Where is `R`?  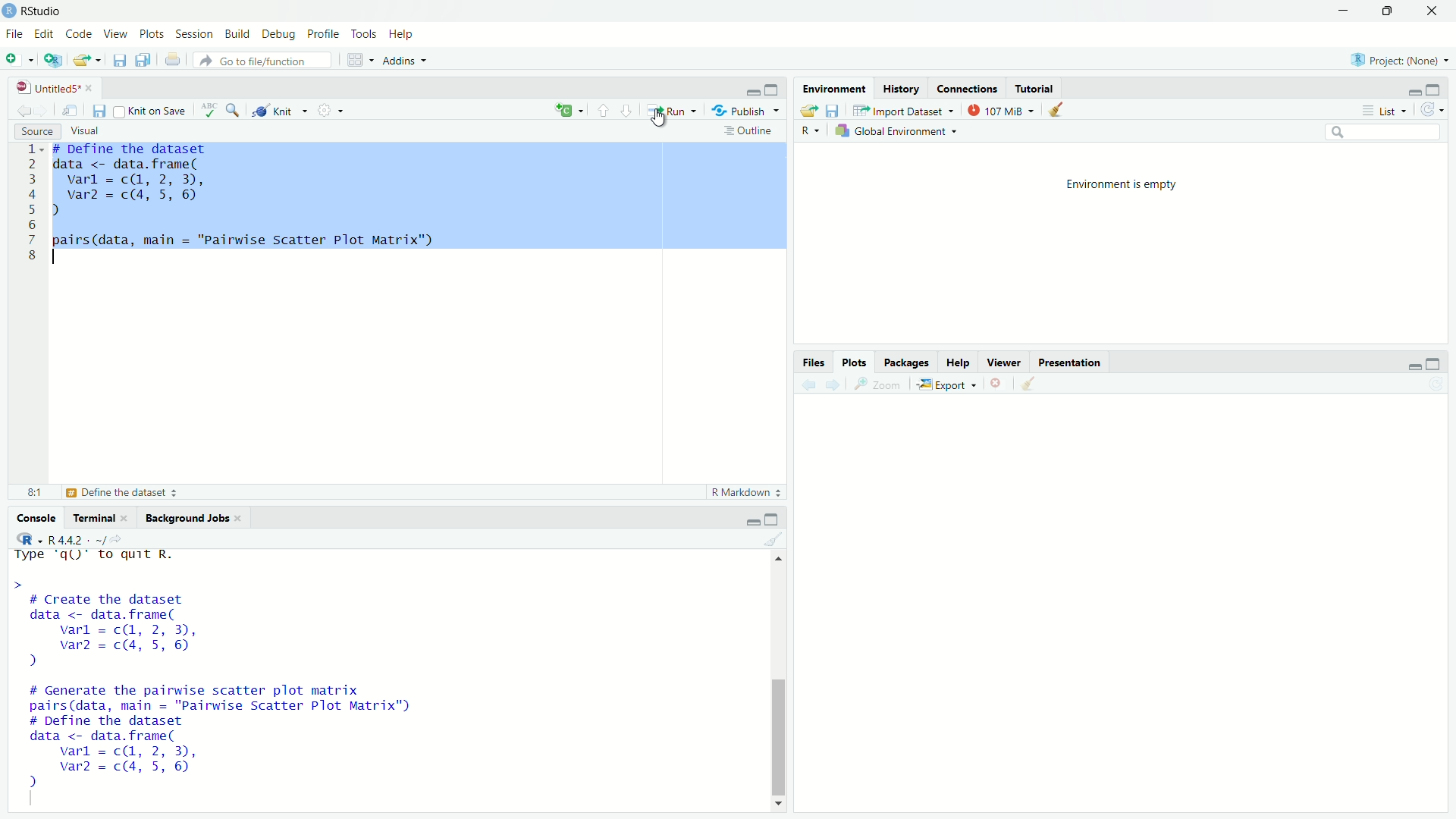
R is located at coordinates (26, 538).